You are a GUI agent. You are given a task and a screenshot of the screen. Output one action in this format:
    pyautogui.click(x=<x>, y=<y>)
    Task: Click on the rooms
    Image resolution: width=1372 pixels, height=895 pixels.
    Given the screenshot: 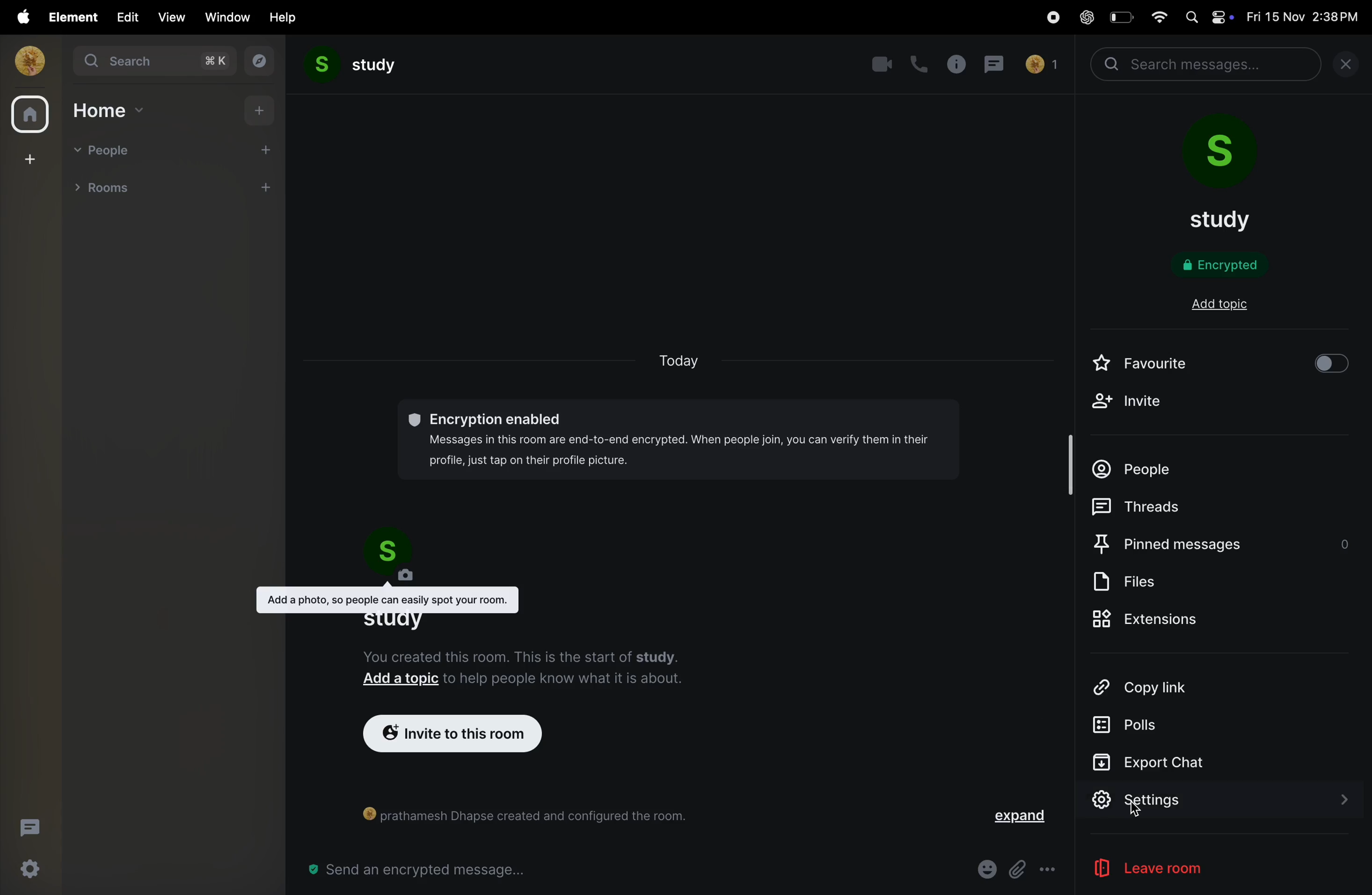 What is the action you would take?
    pyautogui.click(x=107, y=186)
    